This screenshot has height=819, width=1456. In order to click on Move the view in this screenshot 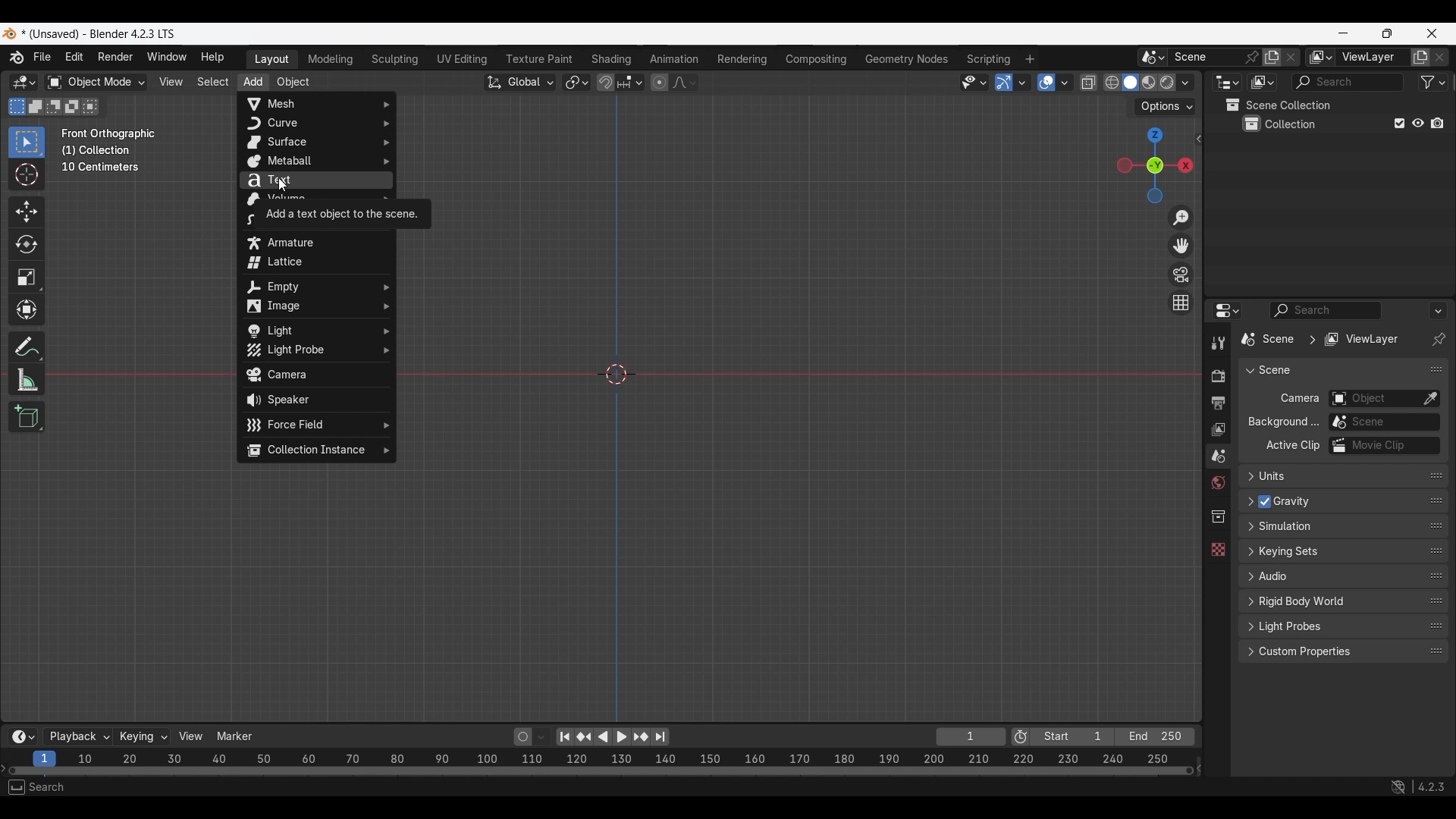, I will do `click(1182, 246)`.